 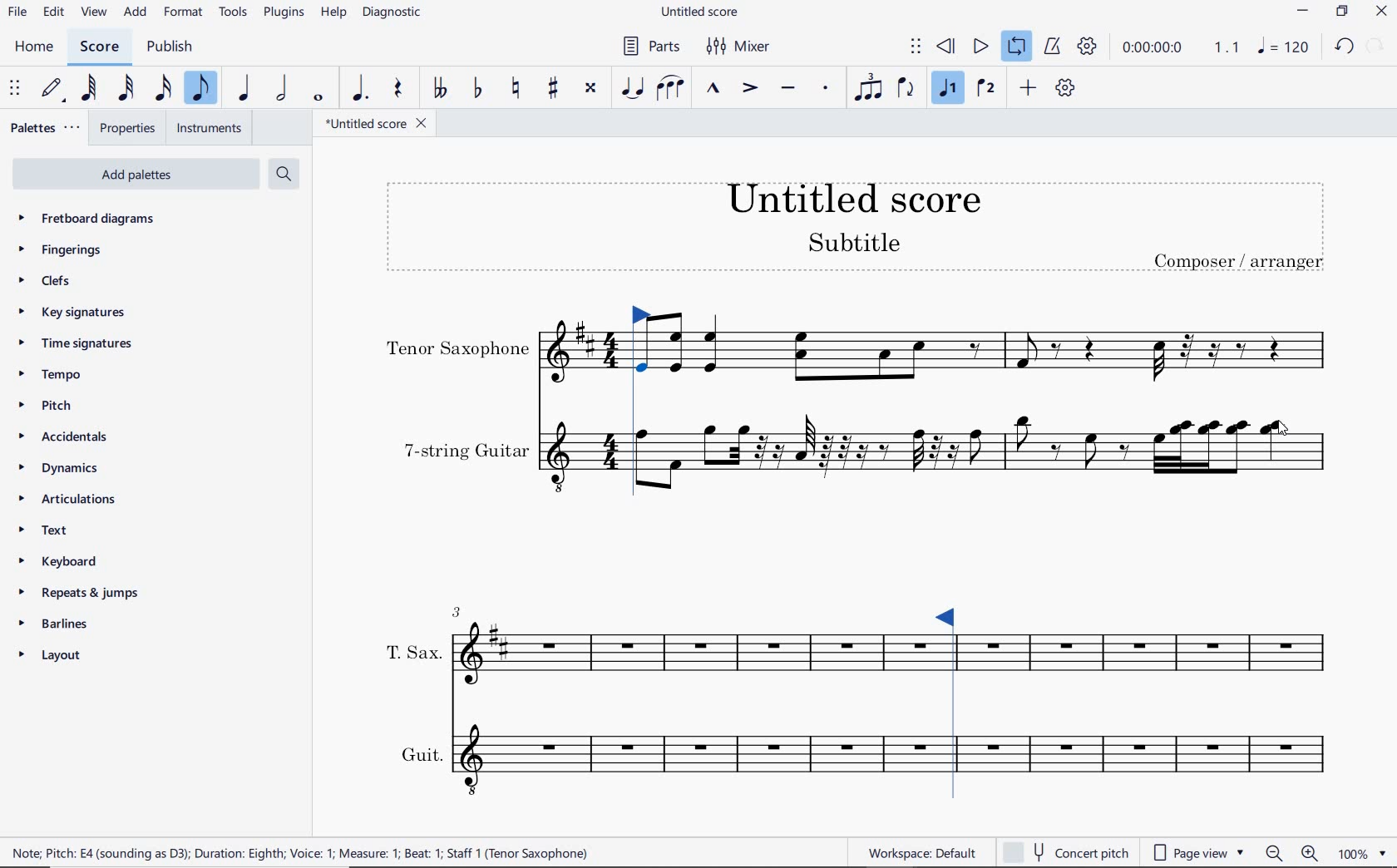 What do you see at coordinates (949, 89) in the screenshot?
I see `VOICE 1` at bounding box center [949, 89].